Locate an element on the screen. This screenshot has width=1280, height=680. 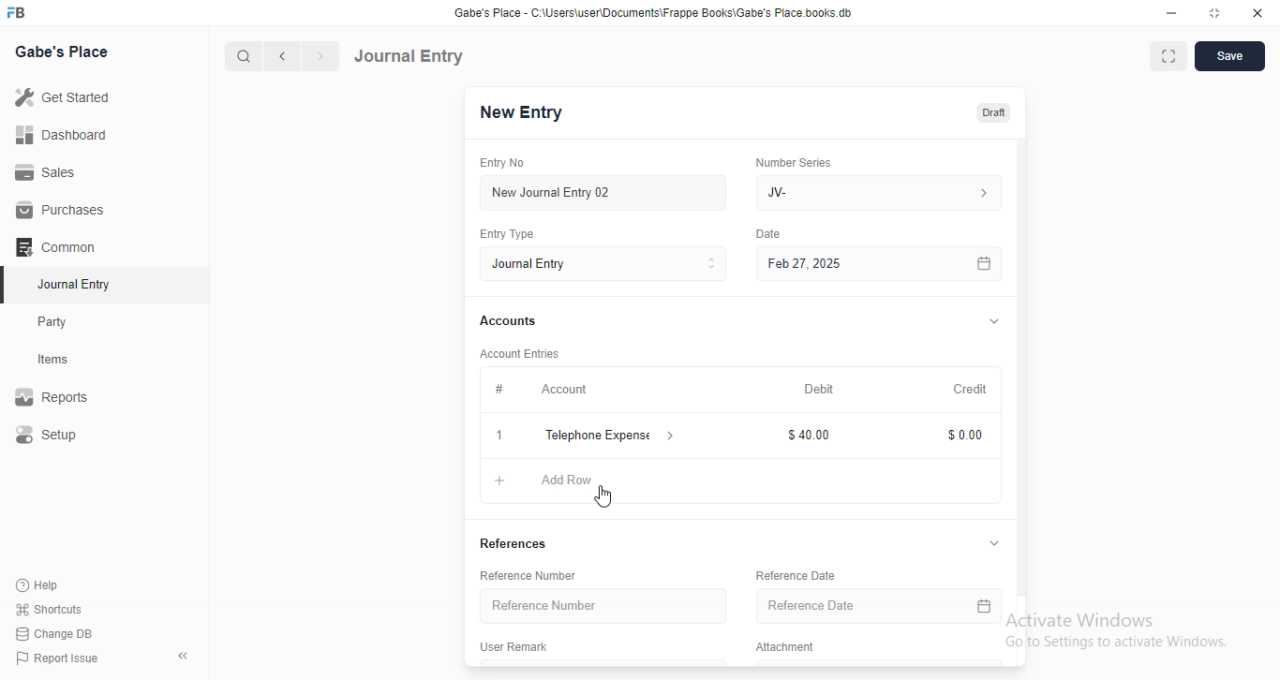
Gabe's Place is located at coordinates (63, 51).